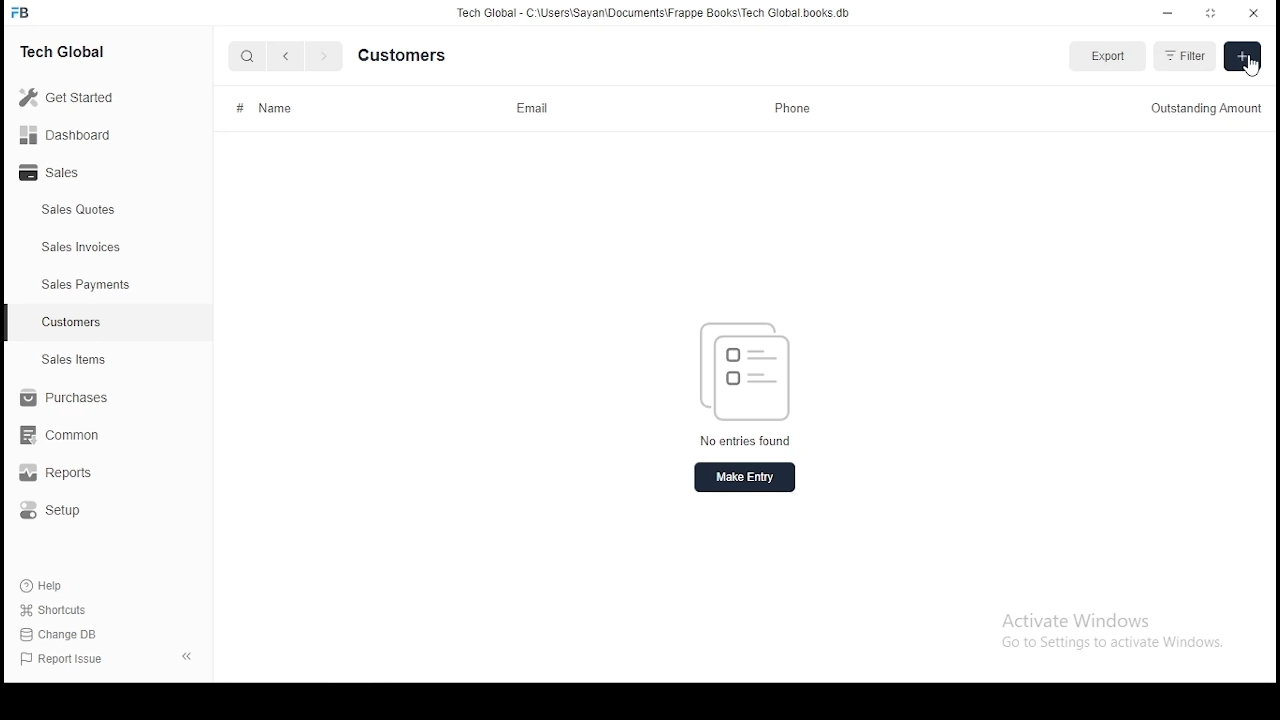 This screenshot has height=720, width=1280. Describe the element at coordinates (529, 109) in the screenshot. I see `email` at that location.